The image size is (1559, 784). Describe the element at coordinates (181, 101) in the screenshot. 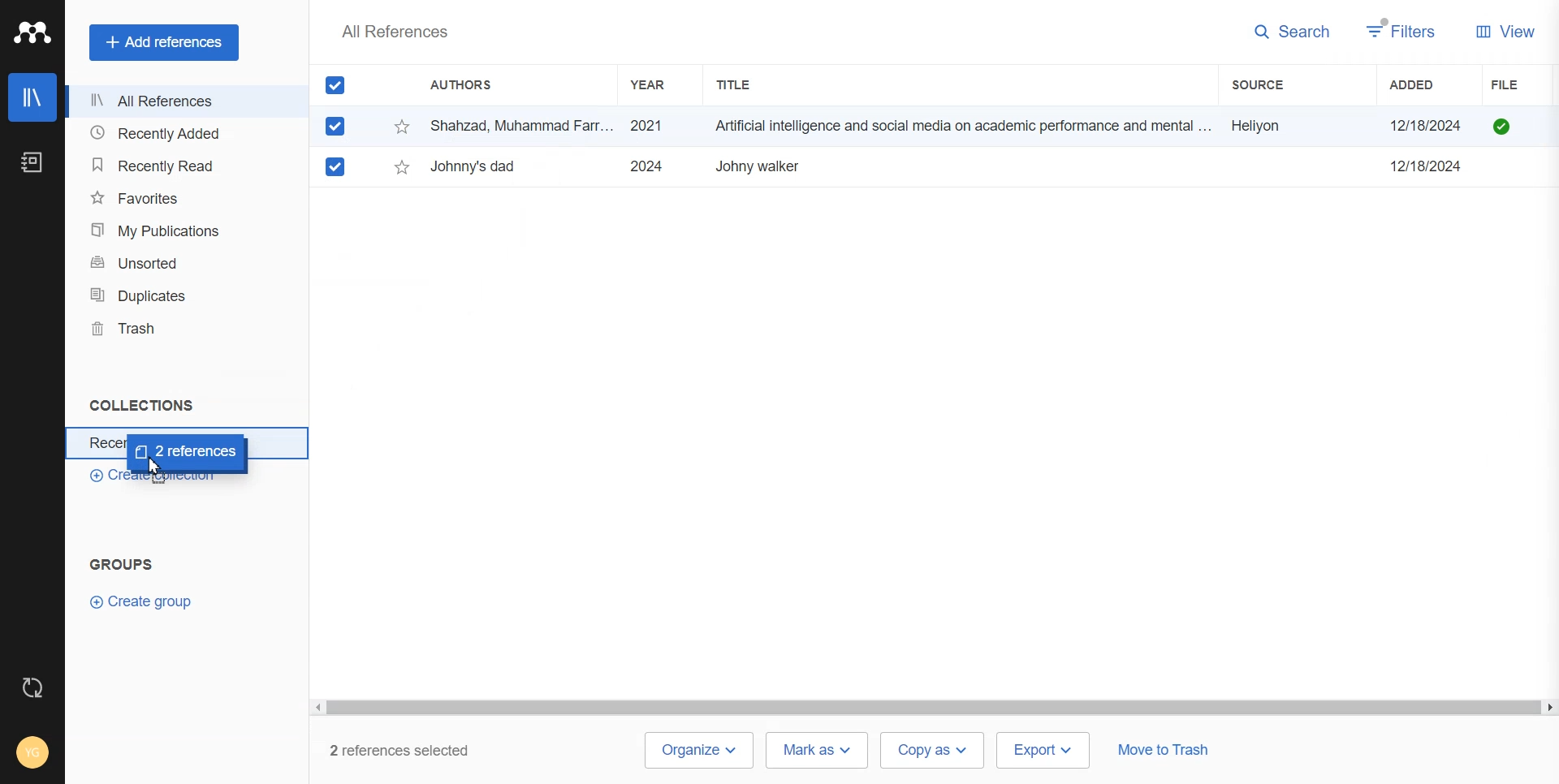

I see `All References` at that location.